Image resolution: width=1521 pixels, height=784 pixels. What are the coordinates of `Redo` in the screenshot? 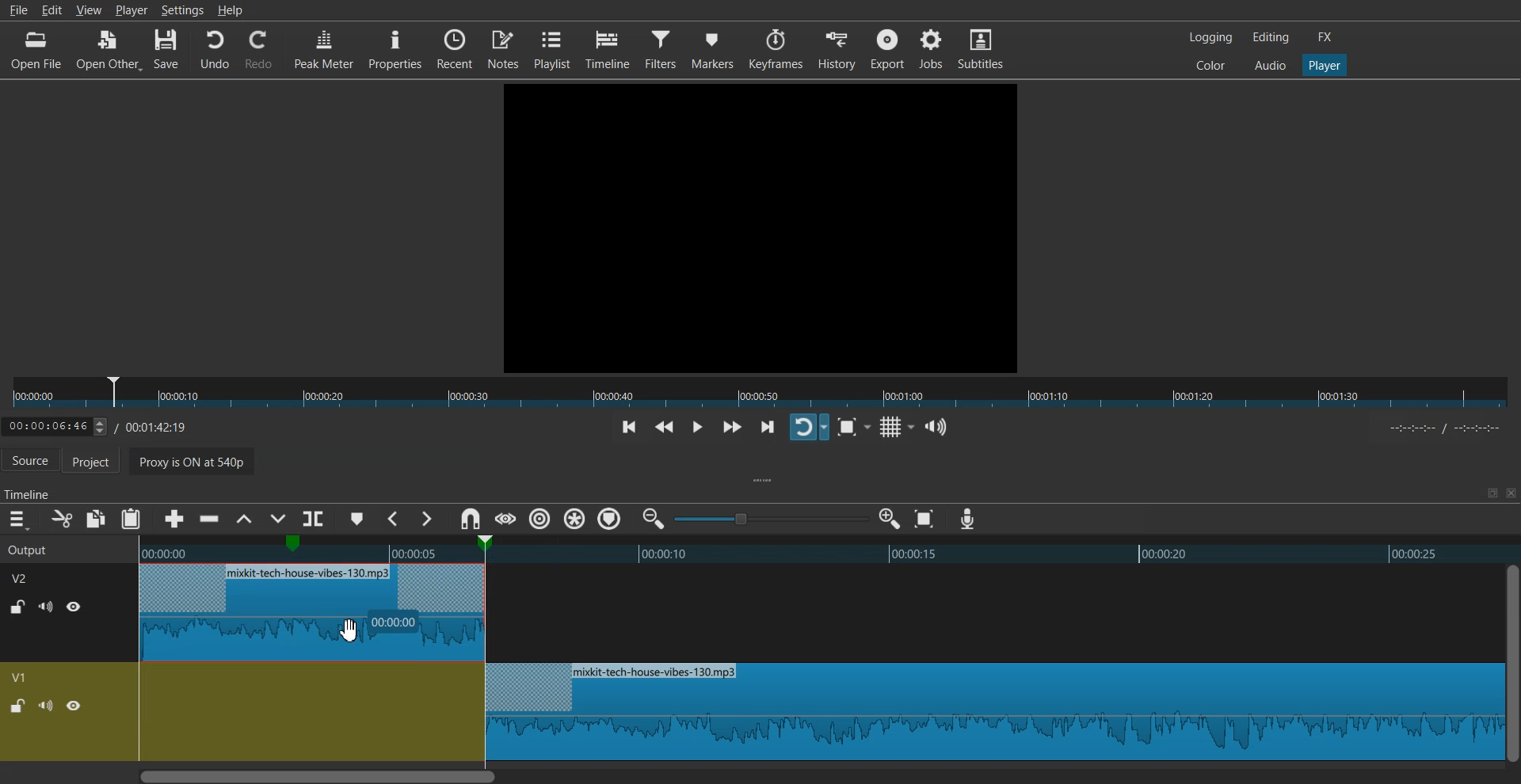 It's located at (259, 50).